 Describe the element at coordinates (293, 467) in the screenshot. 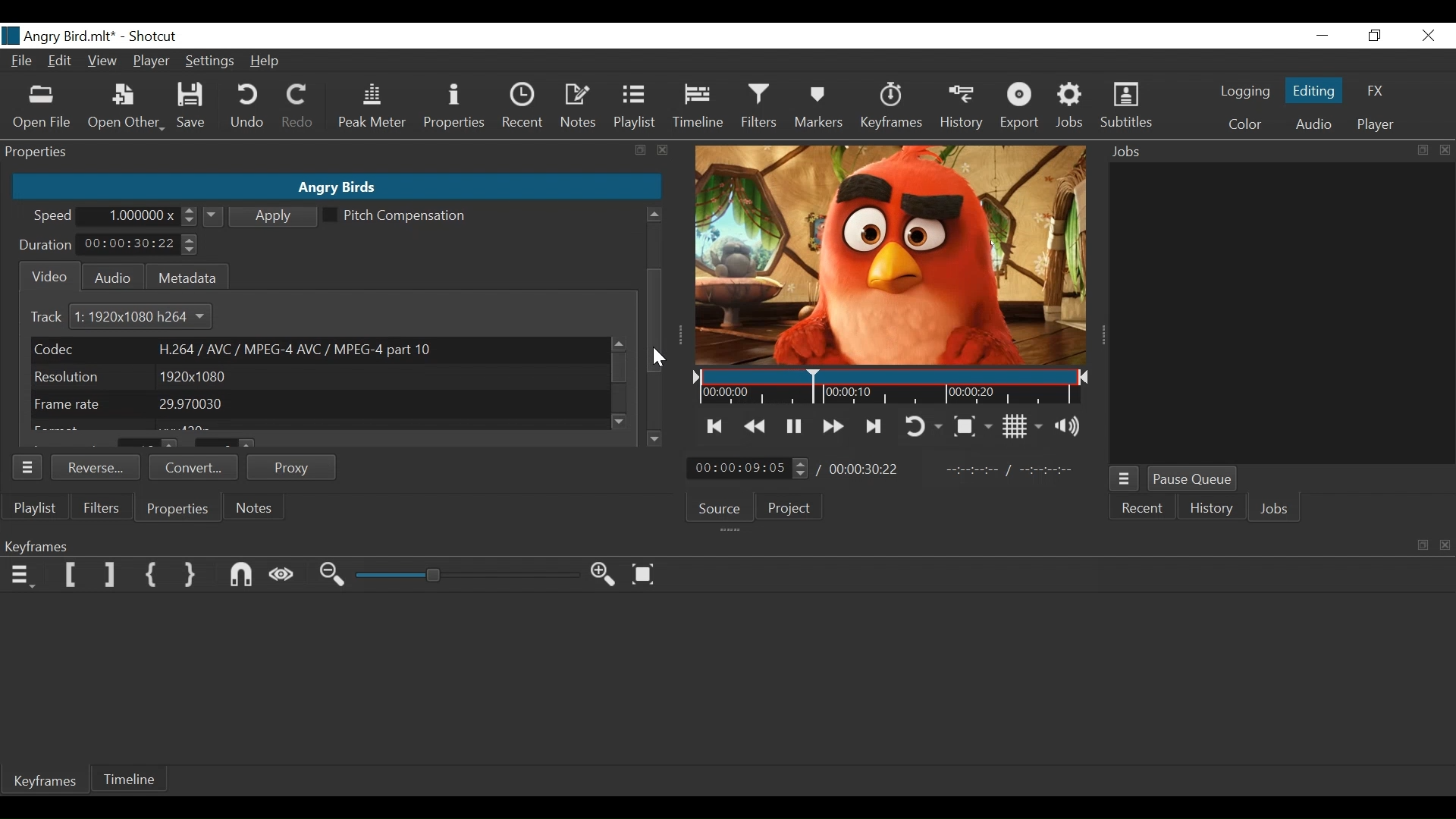

I see `Proxy` at that location.